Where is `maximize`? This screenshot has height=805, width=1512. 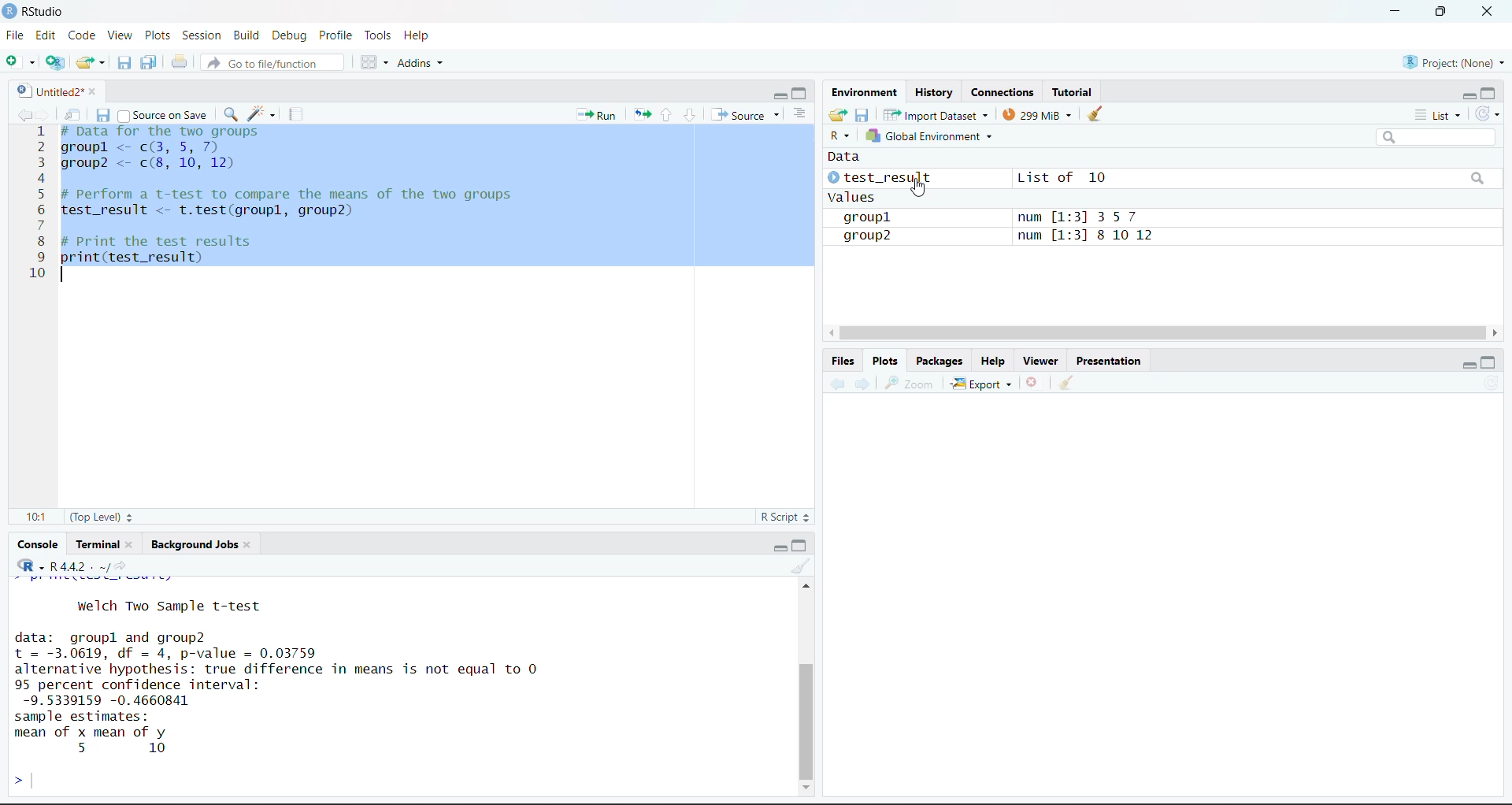
maximize is located at coordinates (799, 546).